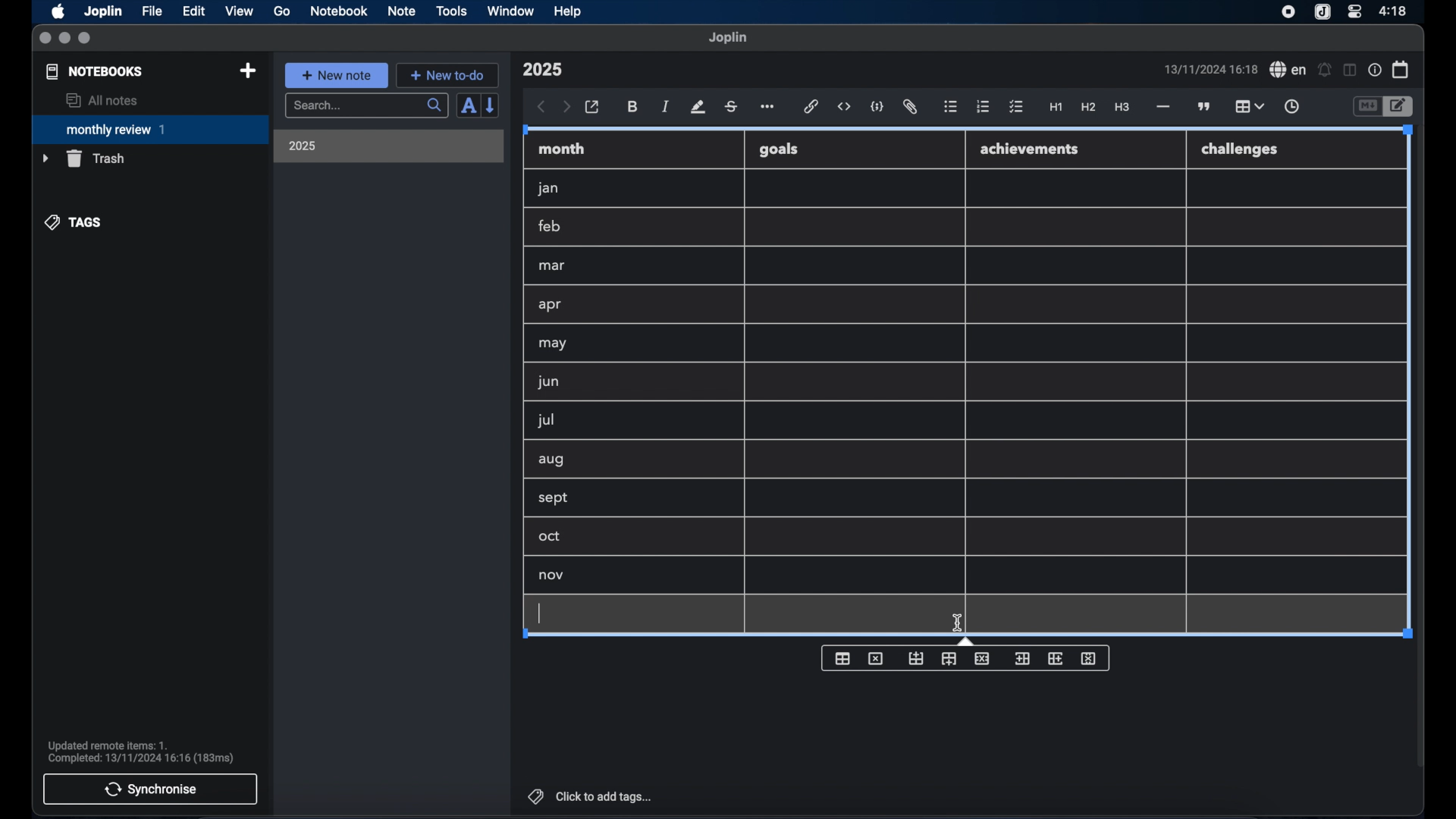  What do you see at coordinates (562, 149) in the screenshot?
I see `month` at bounding box center [562, 149].